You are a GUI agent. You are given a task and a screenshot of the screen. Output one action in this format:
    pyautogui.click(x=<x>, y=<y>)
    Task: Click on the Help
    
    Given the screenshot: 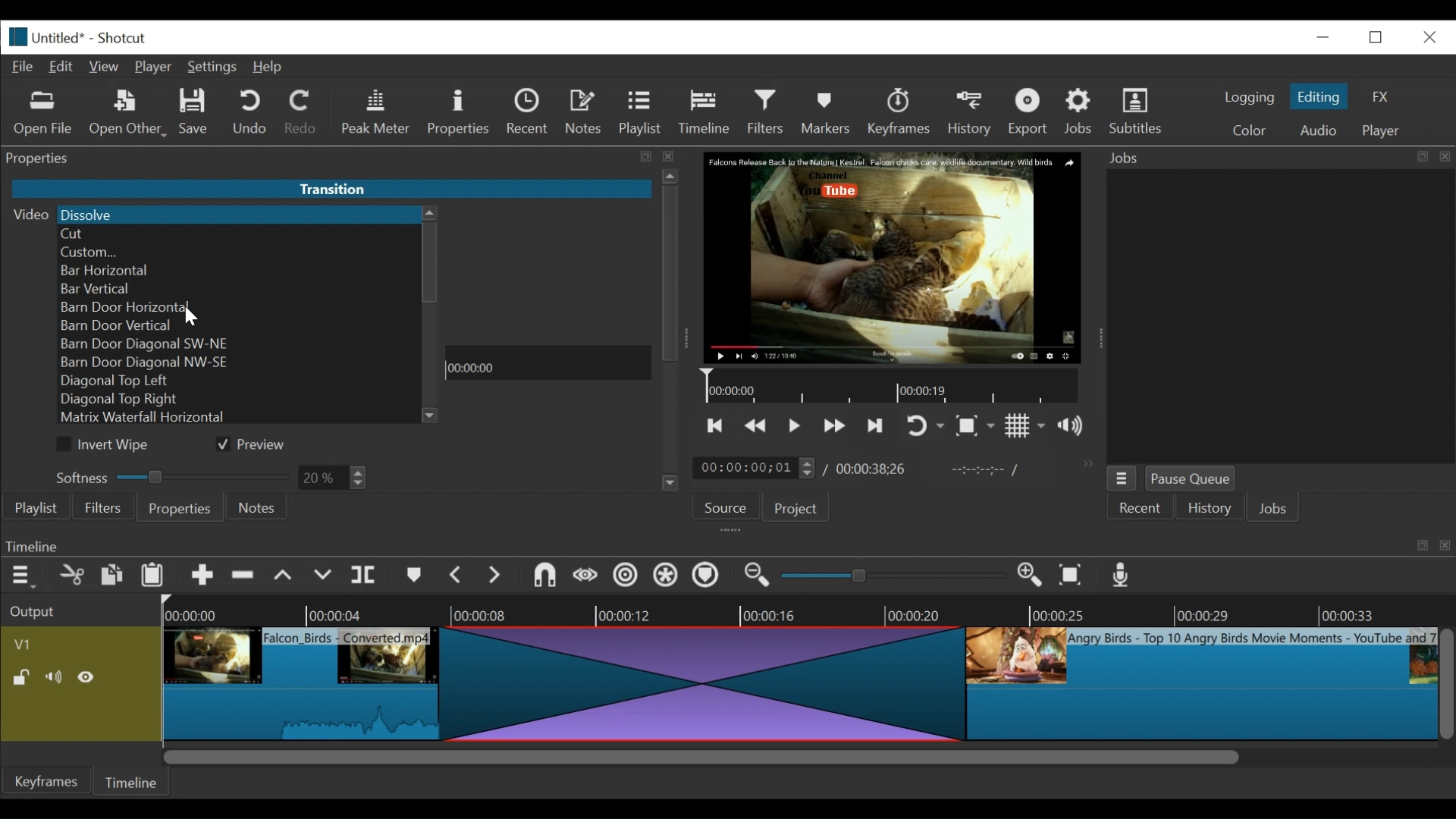 What is the action you would take?
    pyautogui.click(x=268, y=67)
    